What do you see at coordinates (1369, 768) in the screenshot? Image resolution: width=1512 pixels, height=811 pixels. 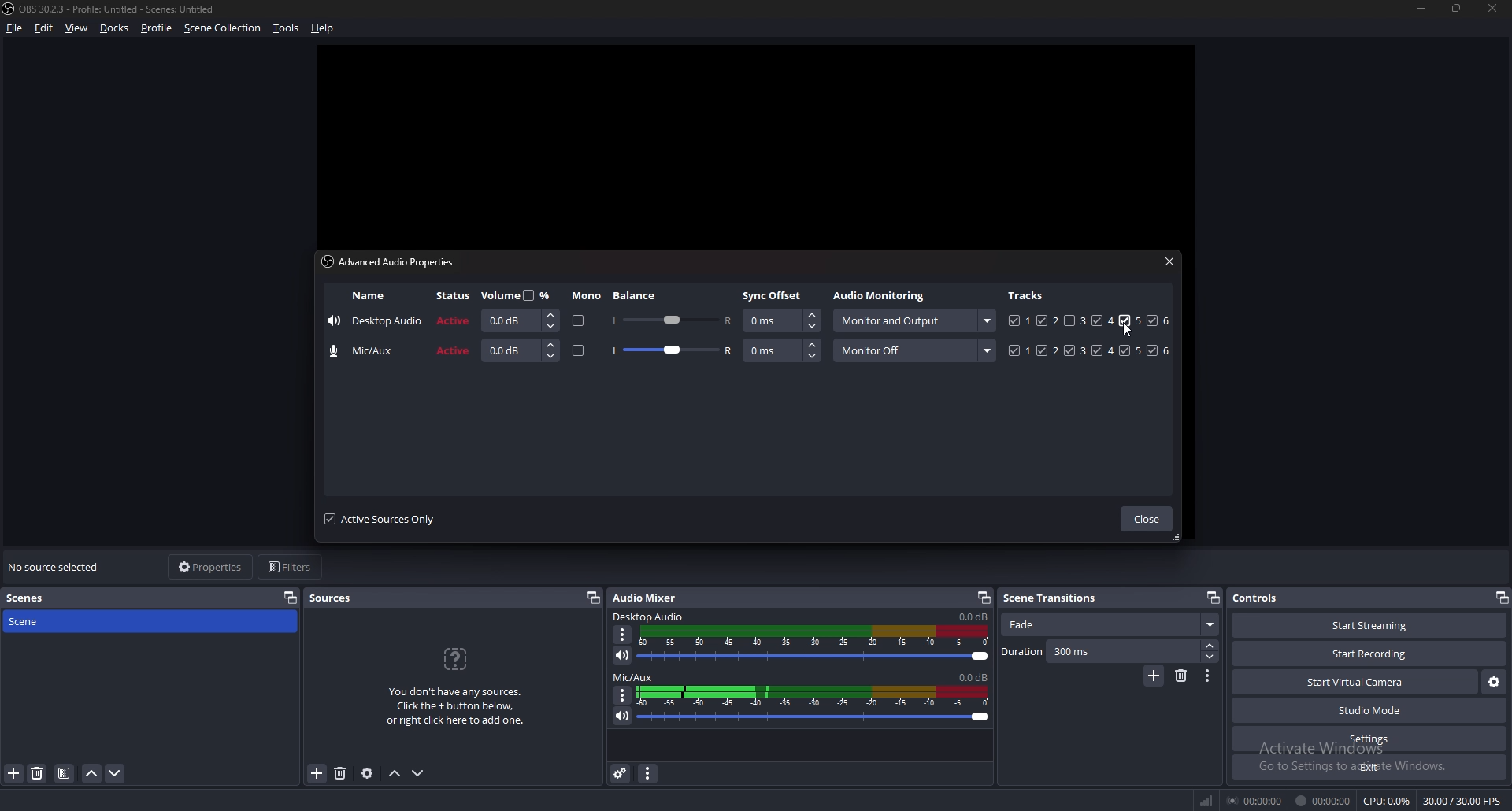 I see `exit` at bounding box center [1369, 768].